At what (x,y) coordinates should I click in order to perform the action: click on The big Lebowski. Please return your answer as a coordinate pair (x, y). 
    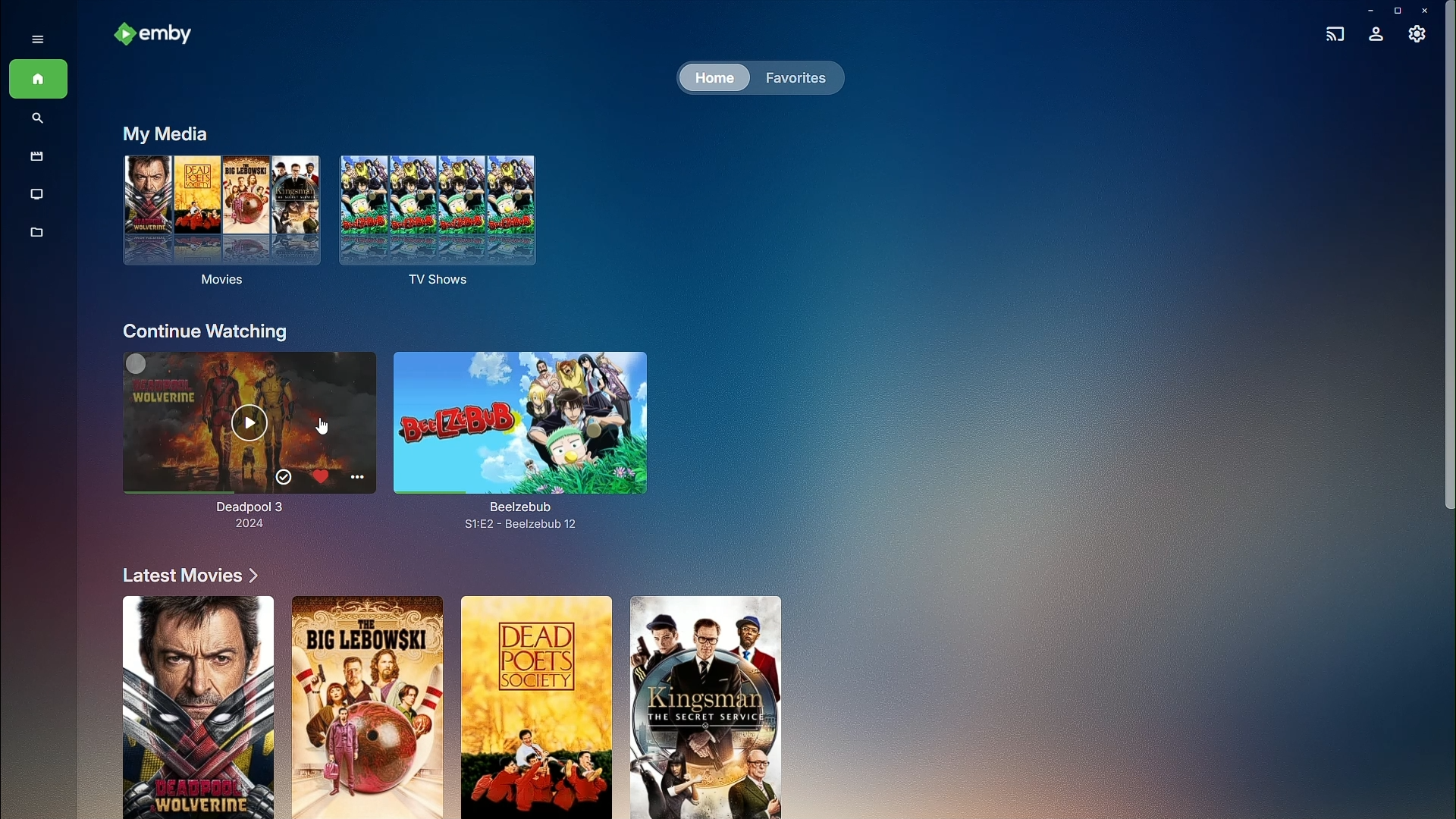
    Looking at the image, I should click on (369, 706).